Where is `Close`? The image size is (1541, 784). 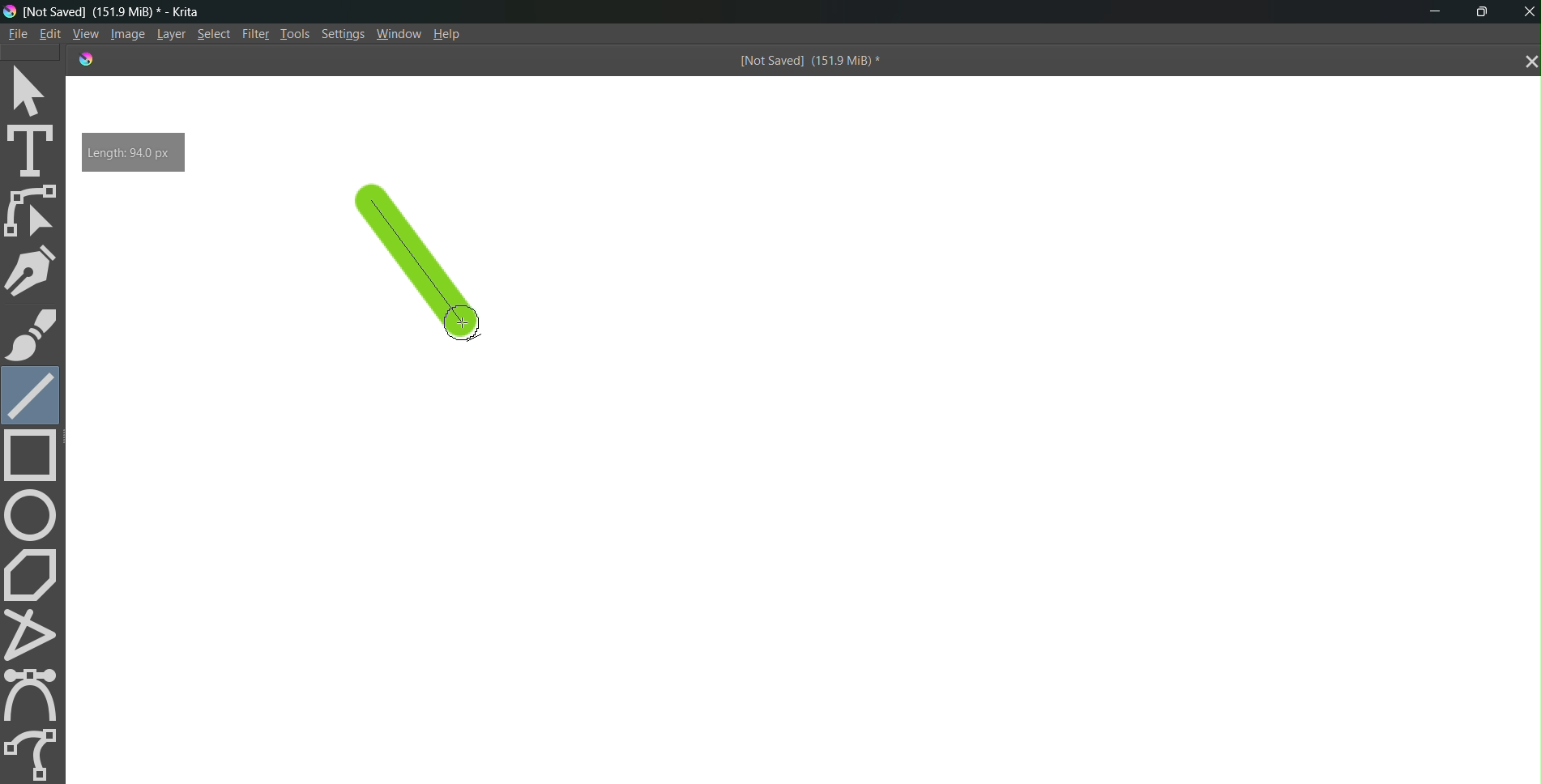
Close is located at coordinates (1526, 11).